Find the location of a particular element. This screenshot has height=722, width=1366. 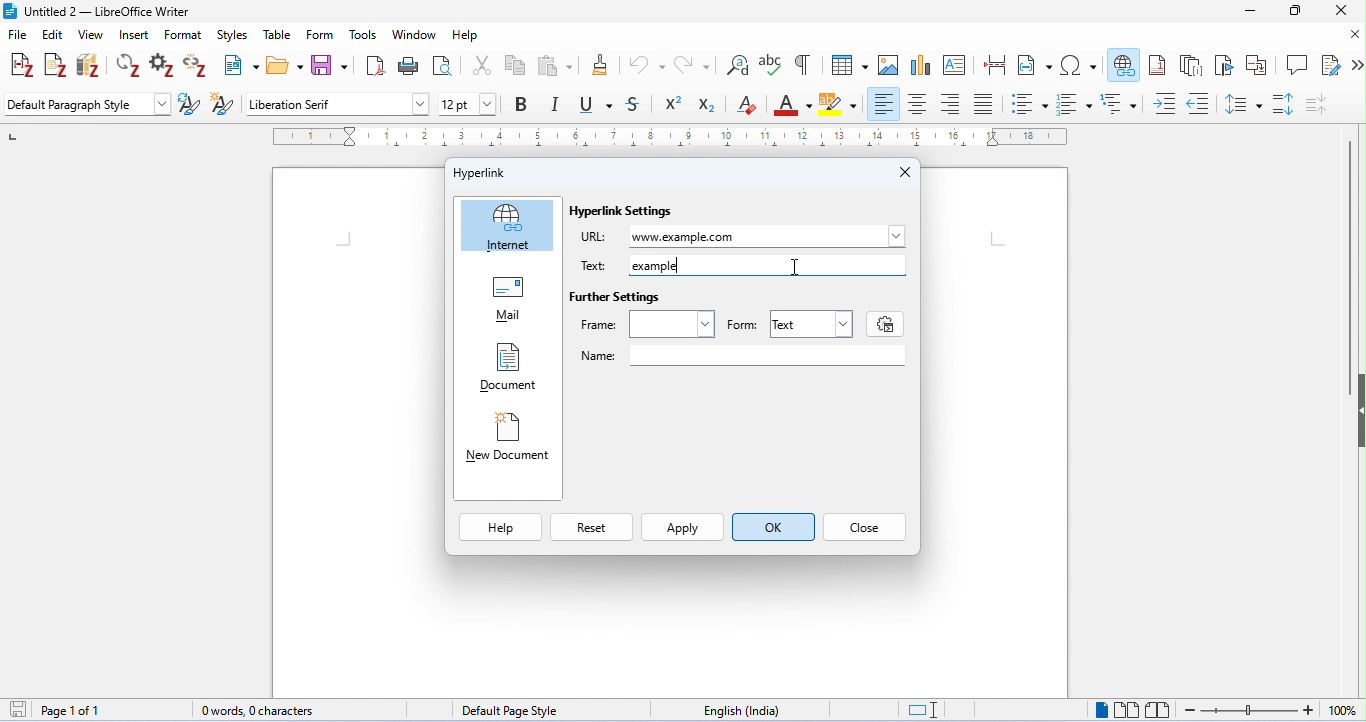

insert chart is located at coordinates (921, 64).